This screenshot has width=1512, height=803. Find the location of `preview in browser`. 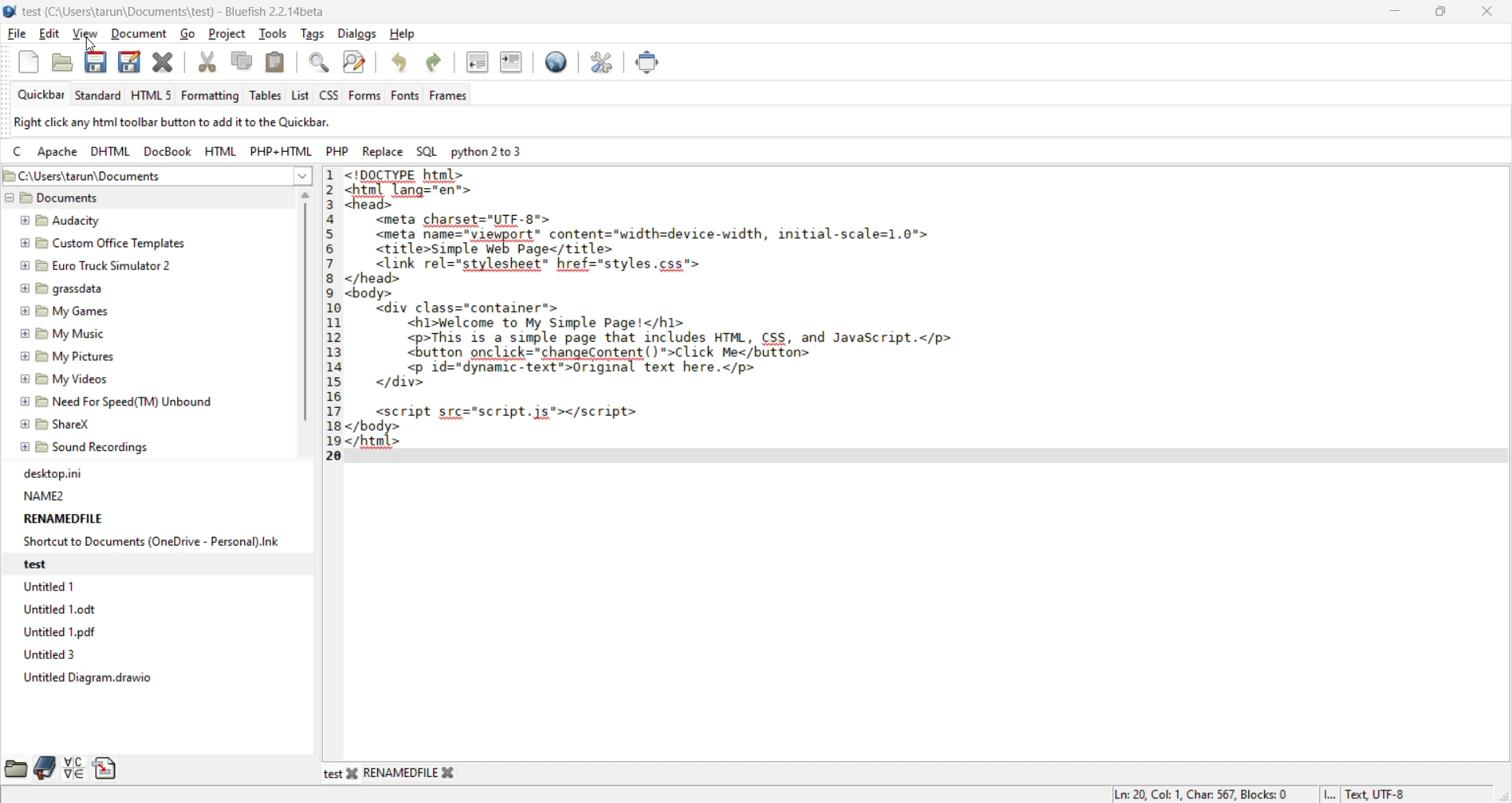

preview in browser is located at coordinates (558, 64).